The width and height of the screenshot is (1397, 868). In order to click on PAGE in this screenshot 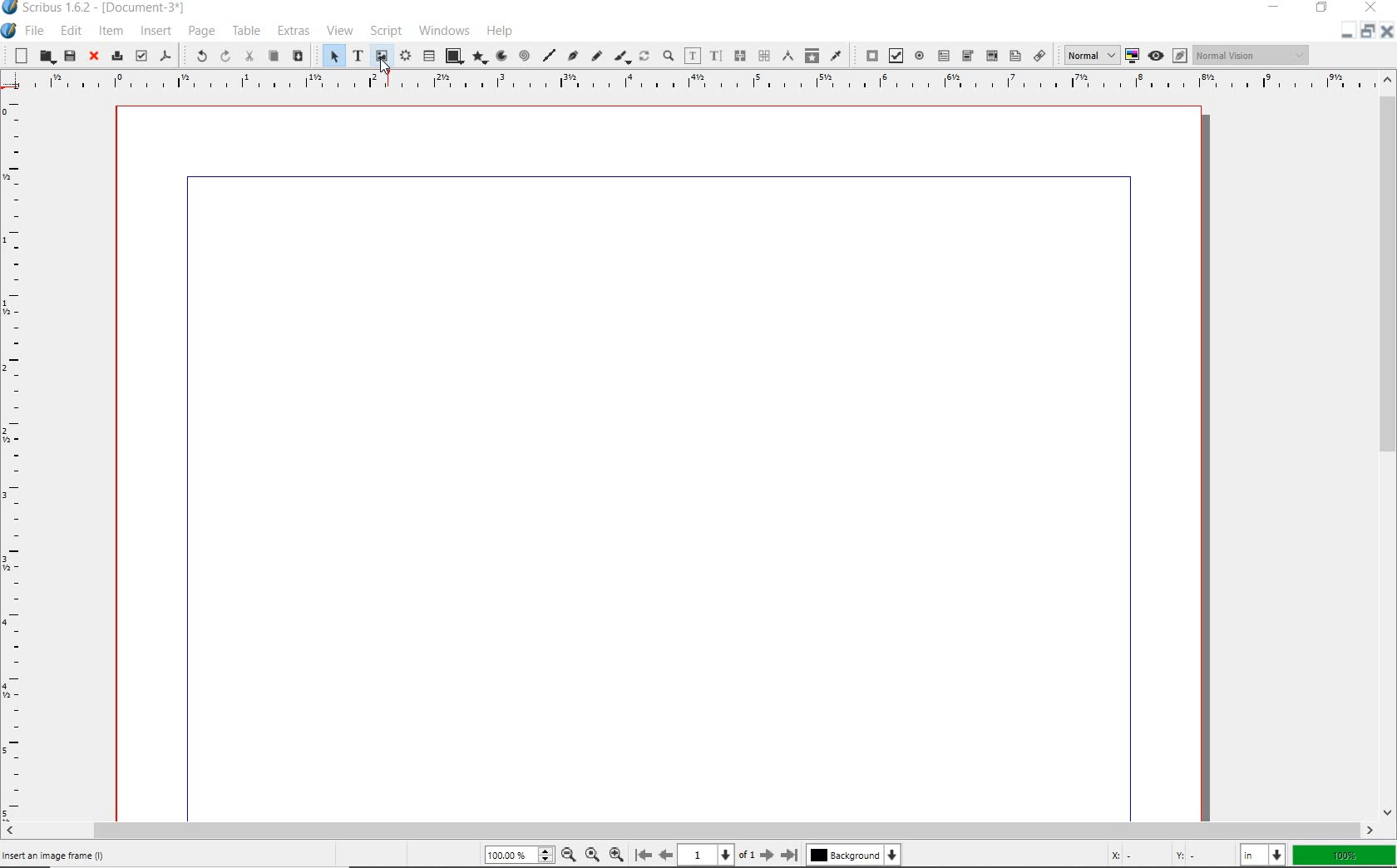, I will do `click(201, 32)`.